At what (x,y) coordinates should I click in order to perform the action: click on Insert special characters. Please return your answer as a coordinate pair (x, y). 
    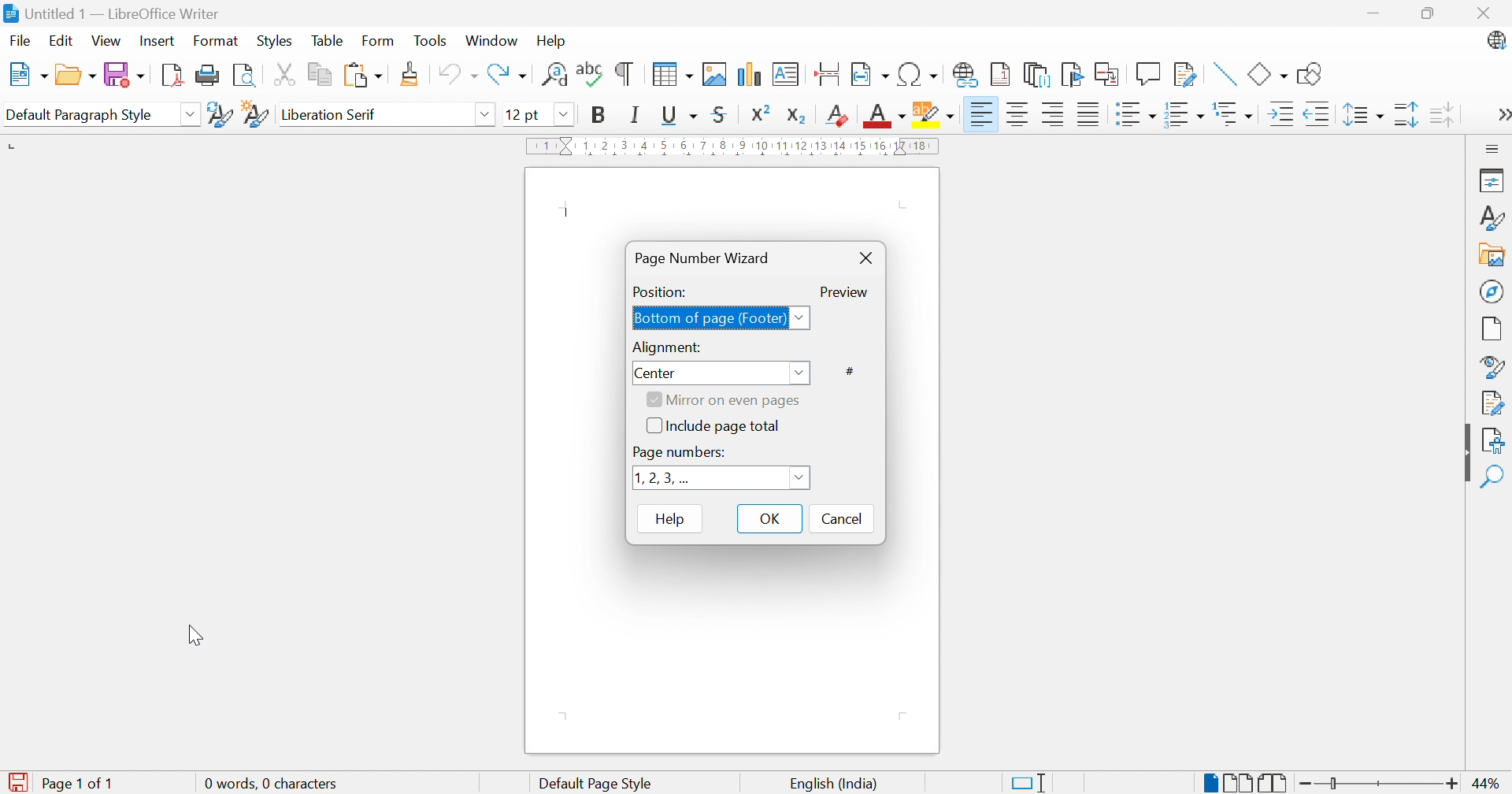
    Looking at the image, I should click on (917, 75).